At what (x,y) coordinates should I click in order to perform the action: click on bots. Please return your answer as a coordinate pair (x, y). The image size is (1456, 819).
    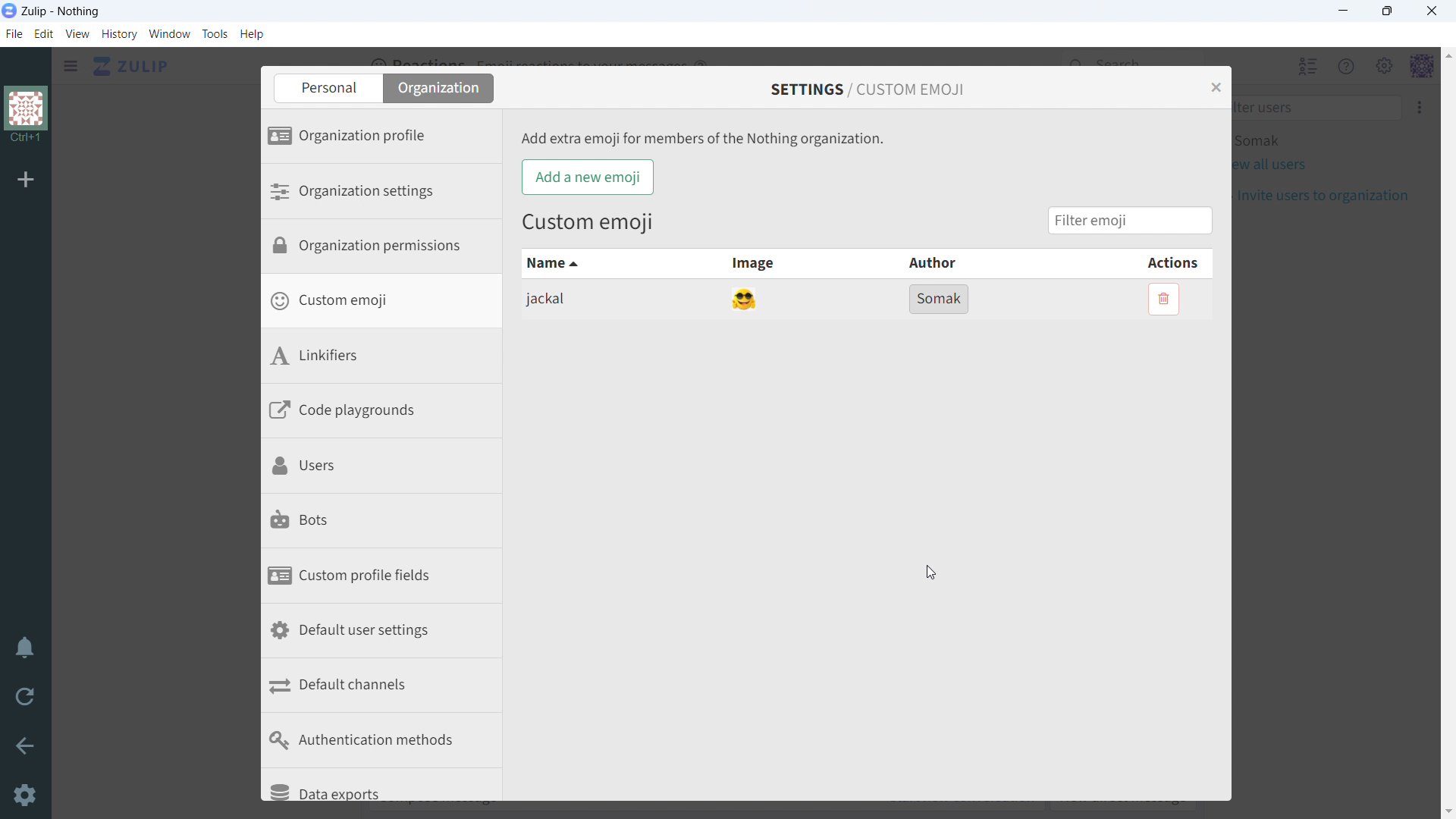
    Looking at the image, I should click on (390, 522).